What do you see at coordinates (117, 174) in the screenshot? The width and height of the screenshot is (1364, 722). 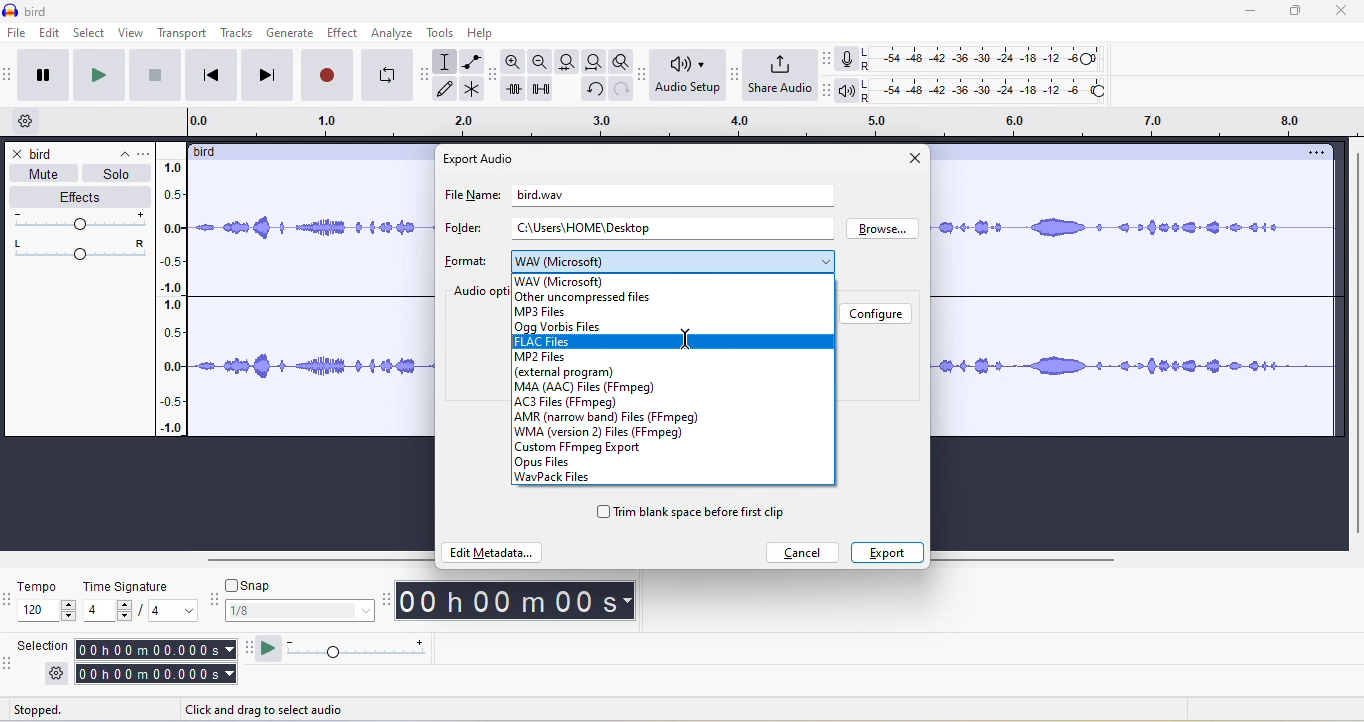 I see `solo` at bounding box center [117, 174].